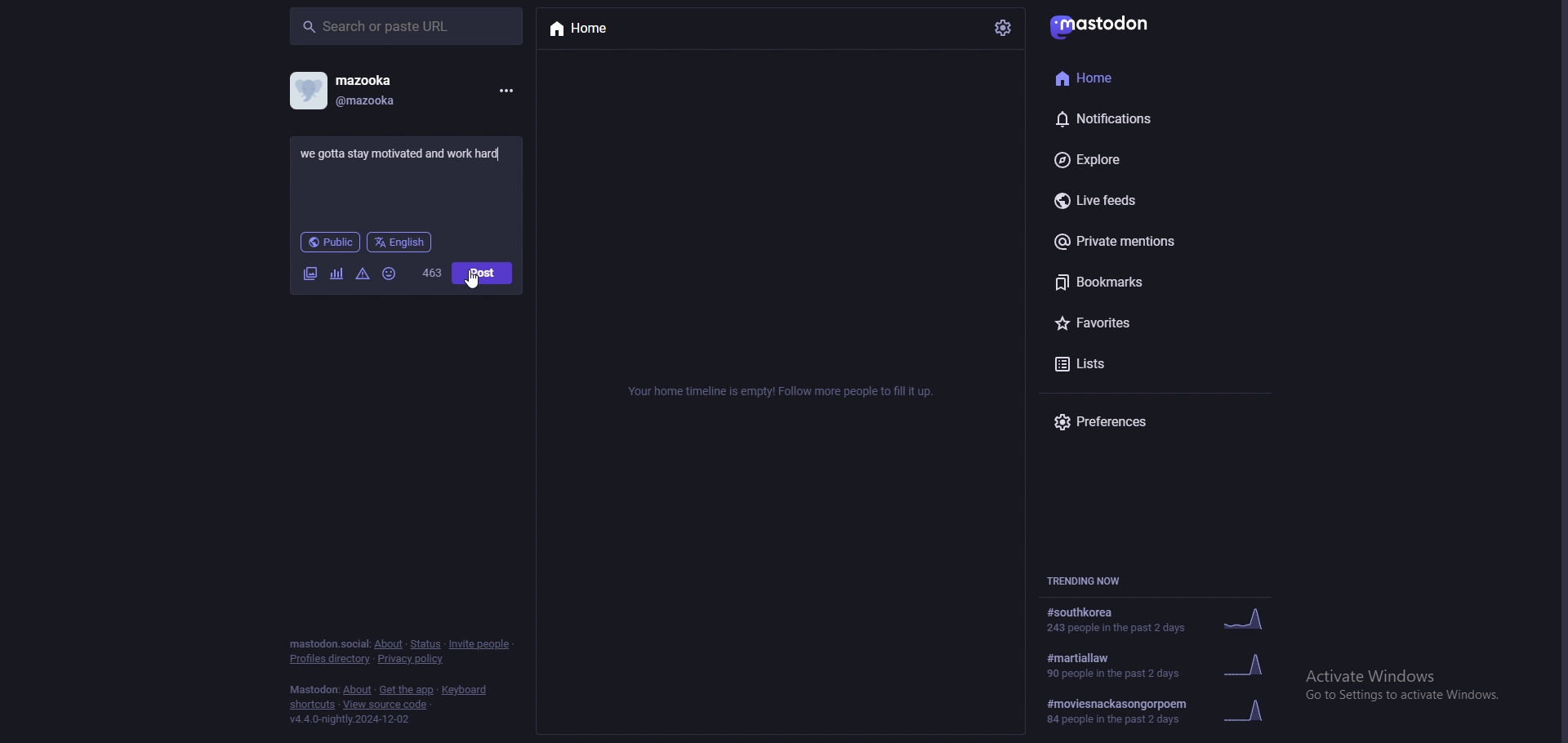  Describe the element at coordinates (1172, 664) in the screenshot. I see `trending` at that location.